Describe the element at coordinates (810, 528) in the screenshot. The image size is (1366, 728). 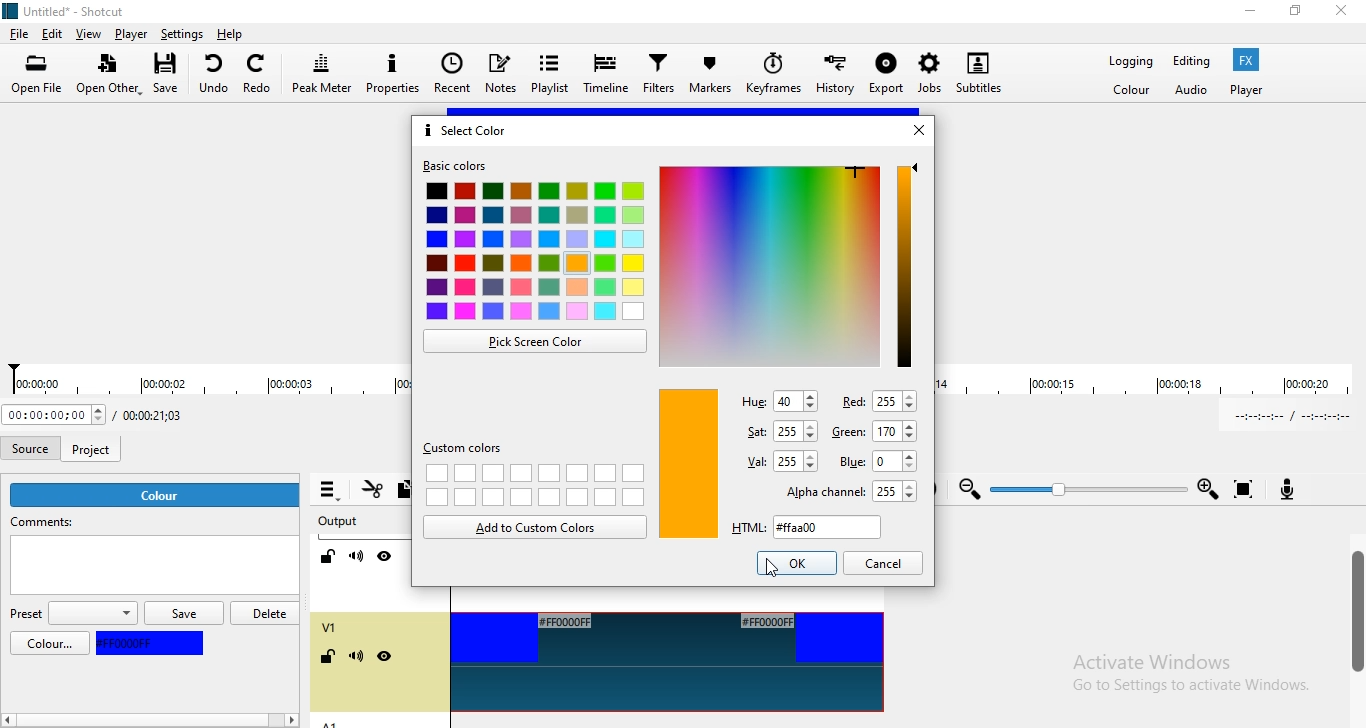
I see `new color code` at that location.